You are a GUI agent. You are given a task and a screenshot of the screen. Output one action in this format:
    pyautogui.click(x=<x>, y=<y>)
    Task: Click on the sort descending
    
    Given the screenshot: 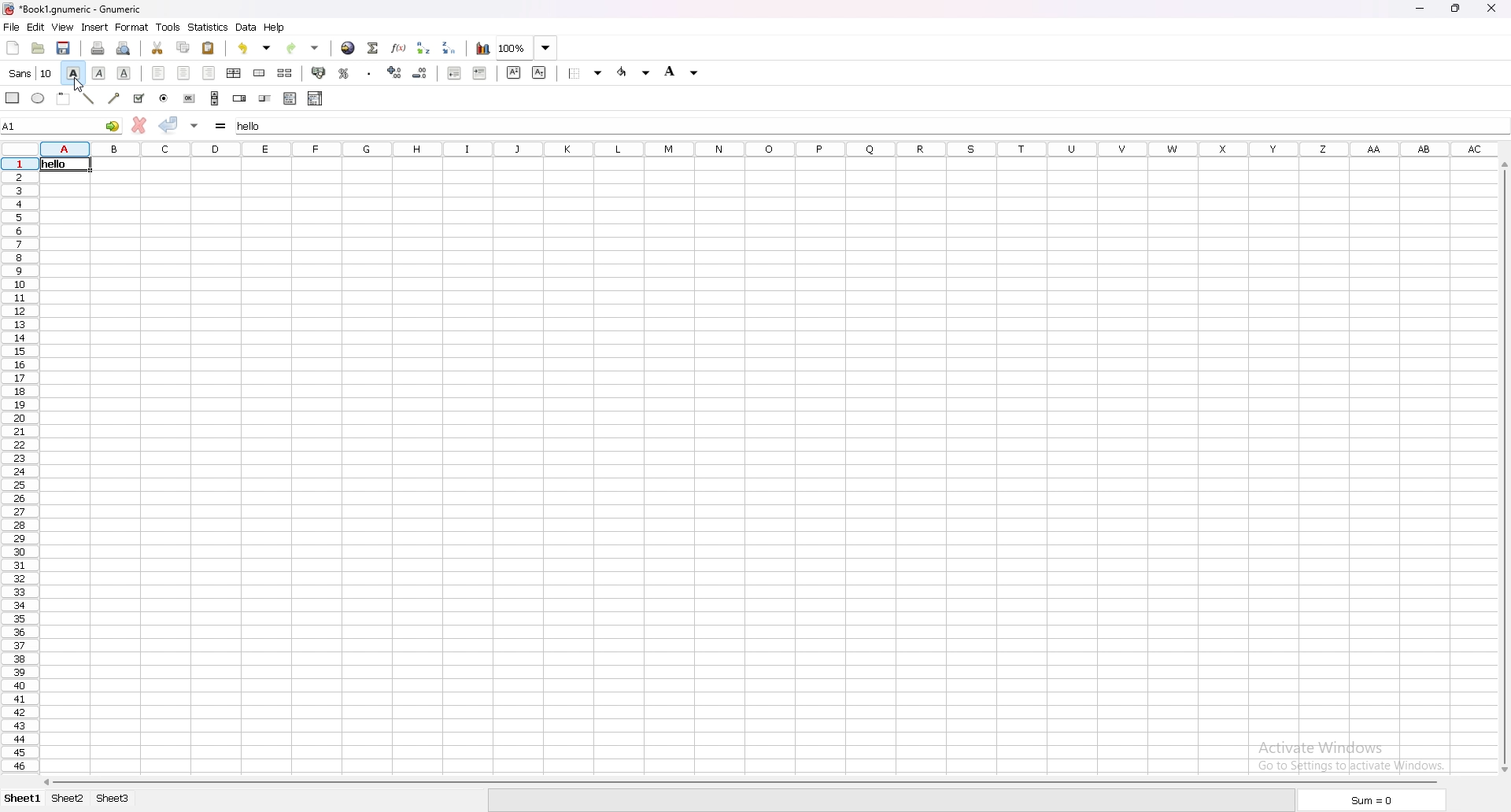 What is the action you would take?
    pyautogui.click(x=448, y=48)
    